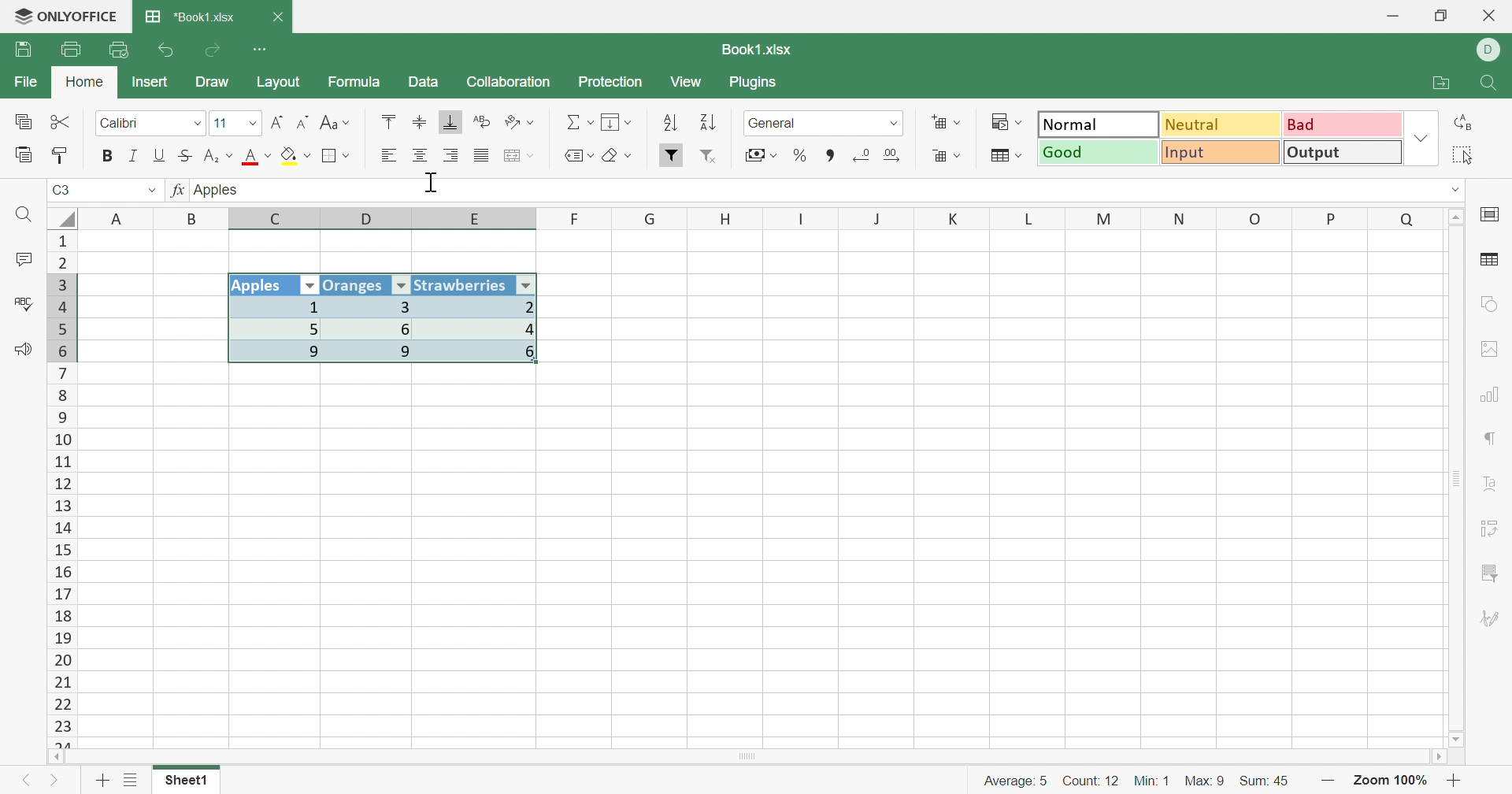 Image resolution: width=1512 pixels, height=794 pixels. What do you see at coordinates (651, 218) in the screenshot?
I see `G` at bounding box center [651, 218].